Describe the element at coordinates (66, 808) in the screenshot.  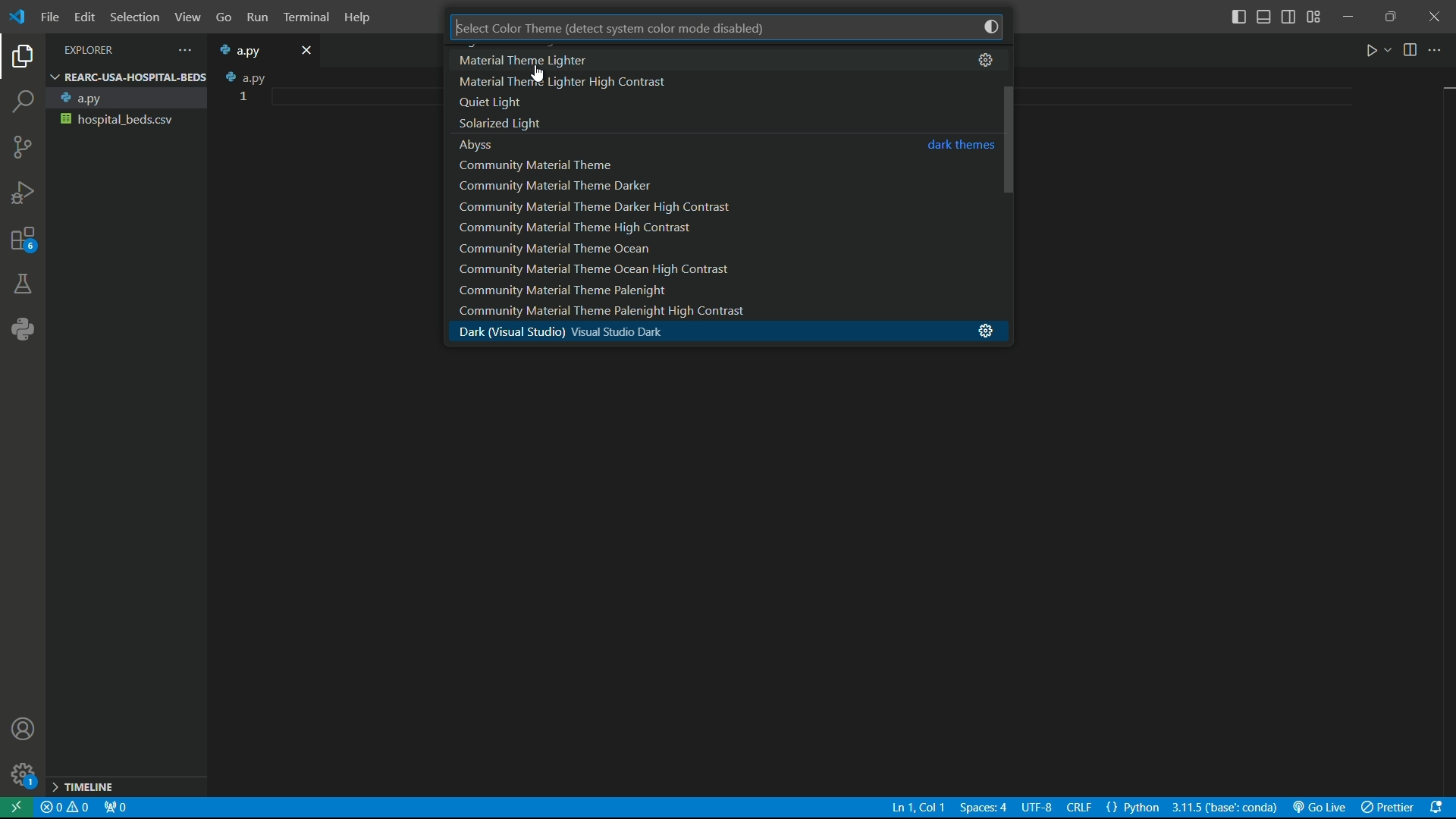
I see `problem or error` at that location.